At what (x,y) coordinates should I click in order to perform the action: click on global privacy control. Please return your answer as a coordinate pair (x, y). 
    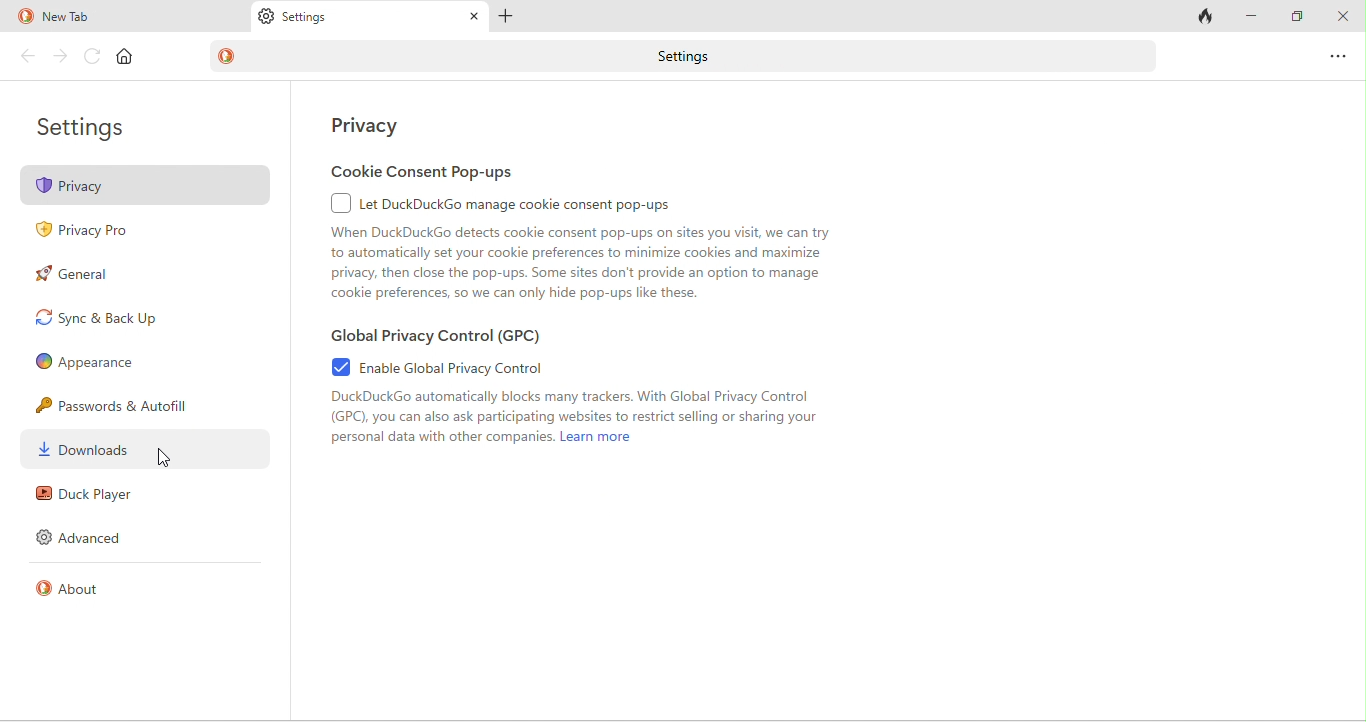
    Looking at the image, I should click on (442, 334).